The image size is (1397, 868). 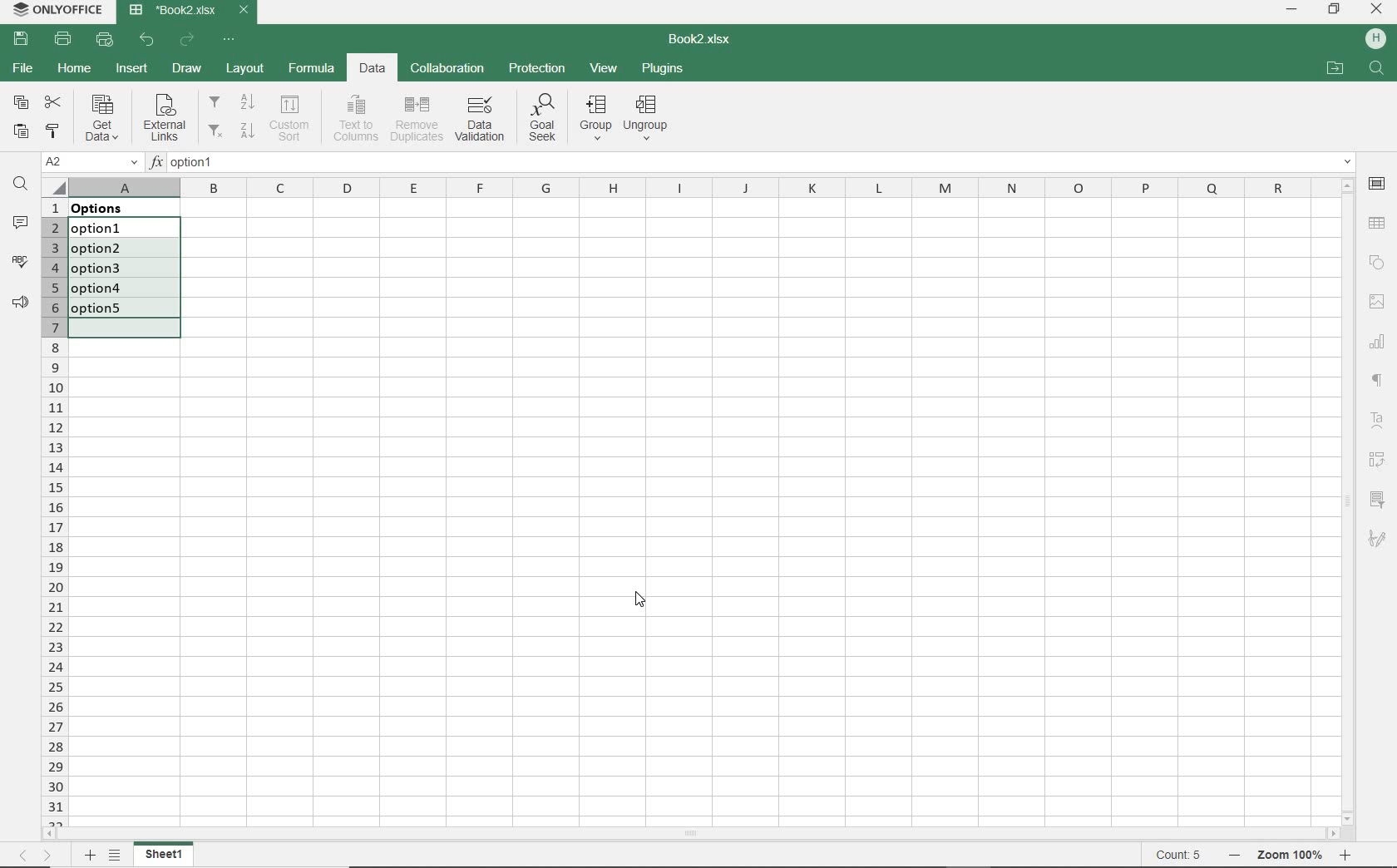 I want to click on SHAPE, so click(x=1379, y=263).